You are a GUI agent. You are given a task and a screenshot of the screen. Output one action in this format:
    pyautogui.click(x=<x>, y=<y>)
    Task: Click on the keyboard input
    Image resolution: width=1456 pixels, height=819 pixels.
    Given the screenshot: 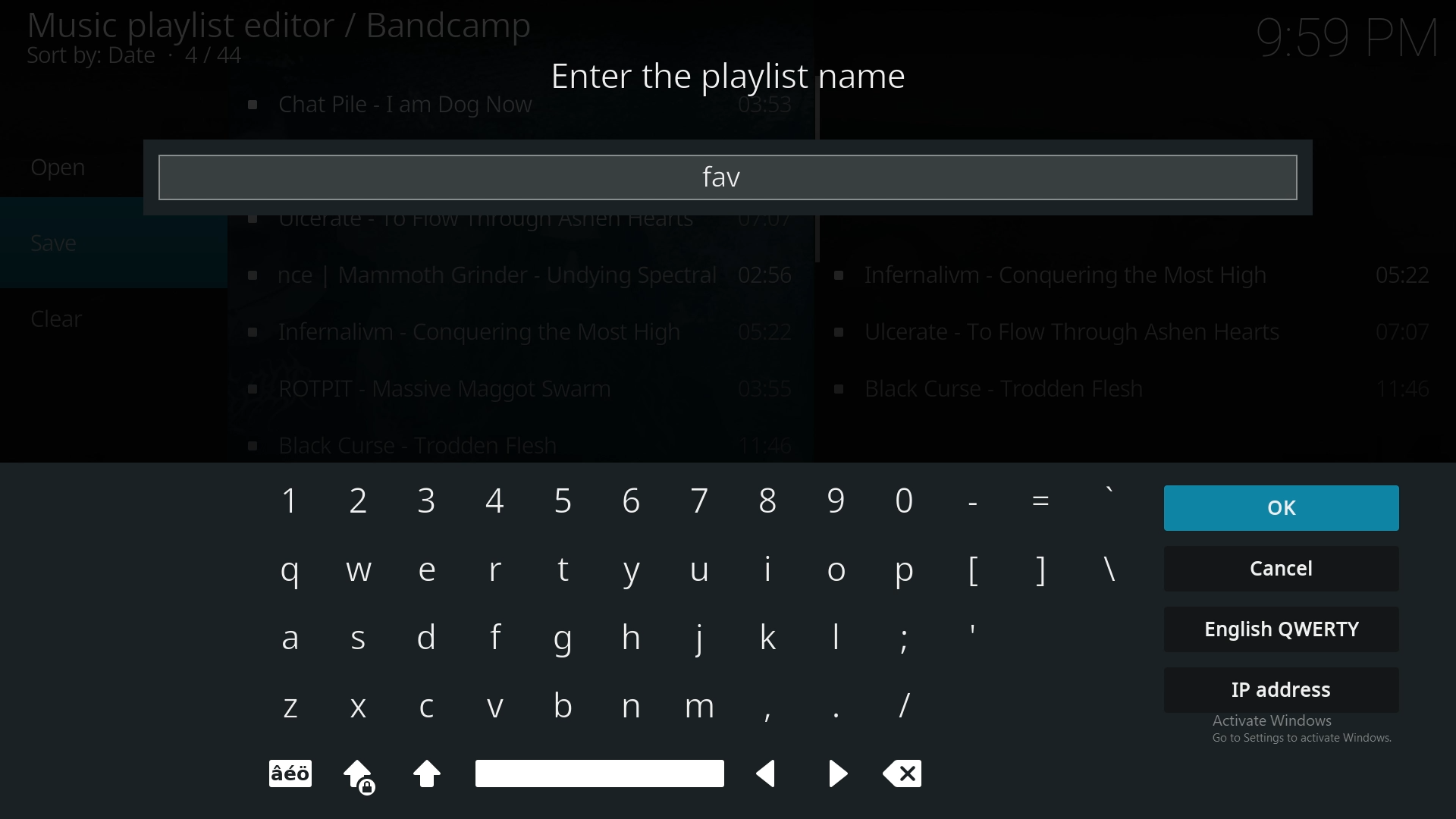 What is the action you would take?
    pyautogui.click(x=976, y=573)
    